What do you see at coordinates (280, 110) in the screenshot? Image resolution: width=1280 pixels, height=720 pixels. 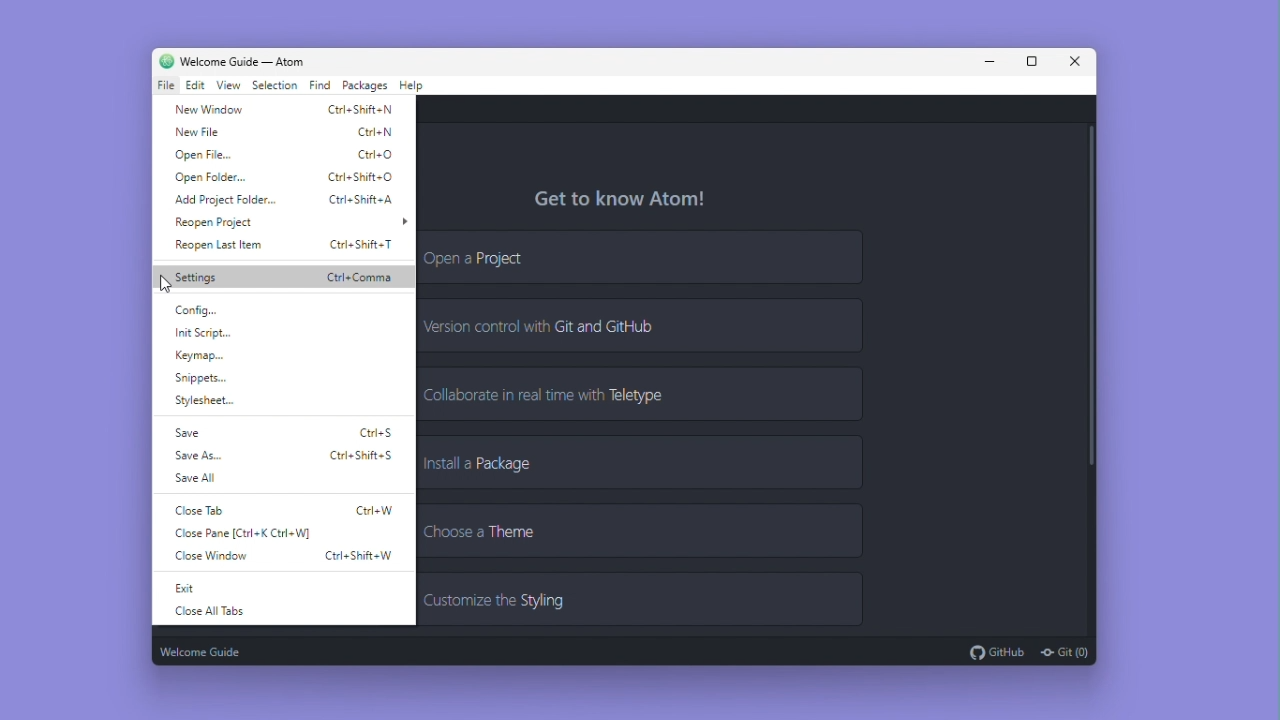 I see `New window Ctrl+Shift+N` at bounding box center [280, 110].